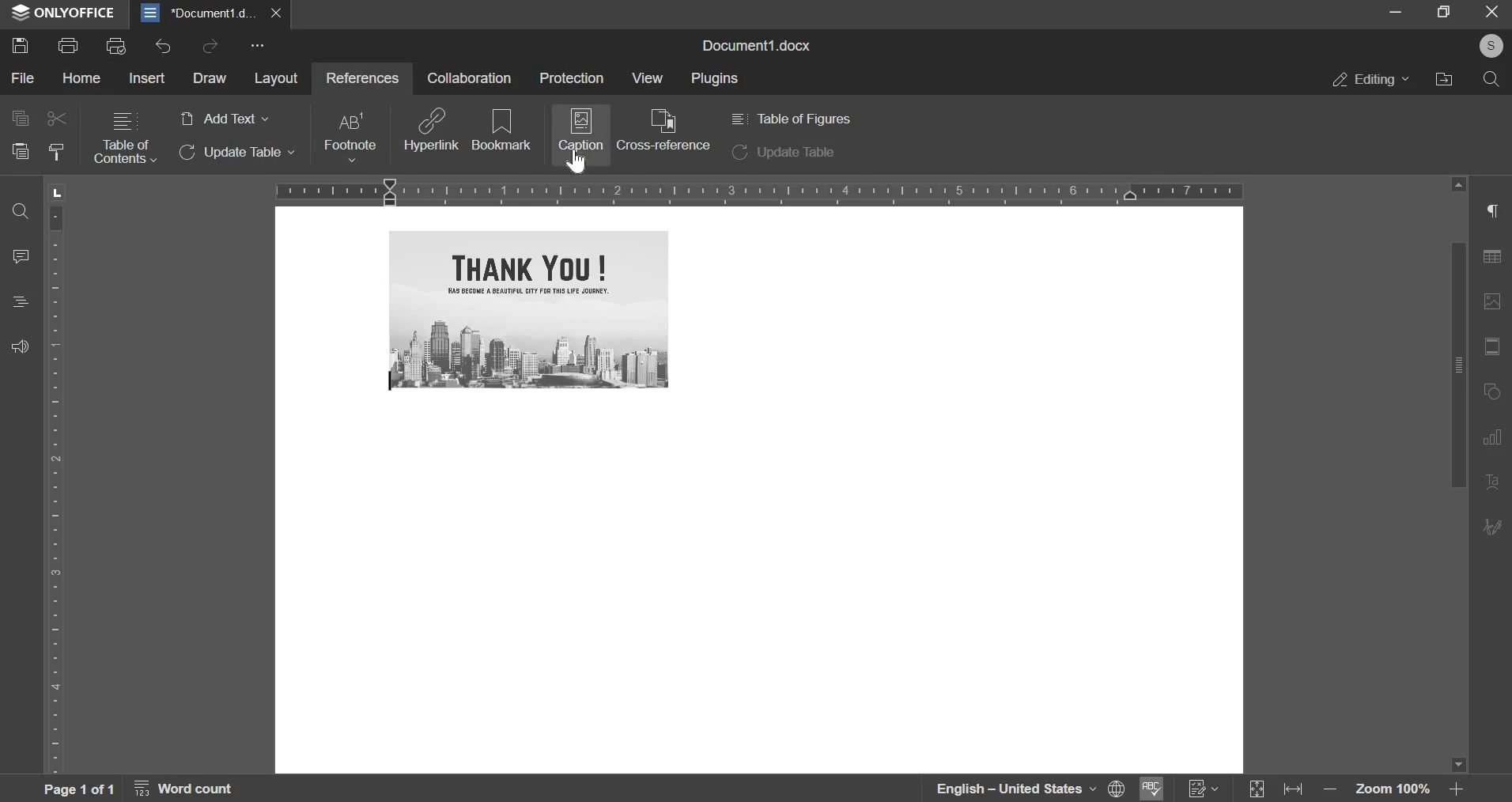  Describe the element at coordinates (68, 44) in the screenshot. I see `print` at that location.